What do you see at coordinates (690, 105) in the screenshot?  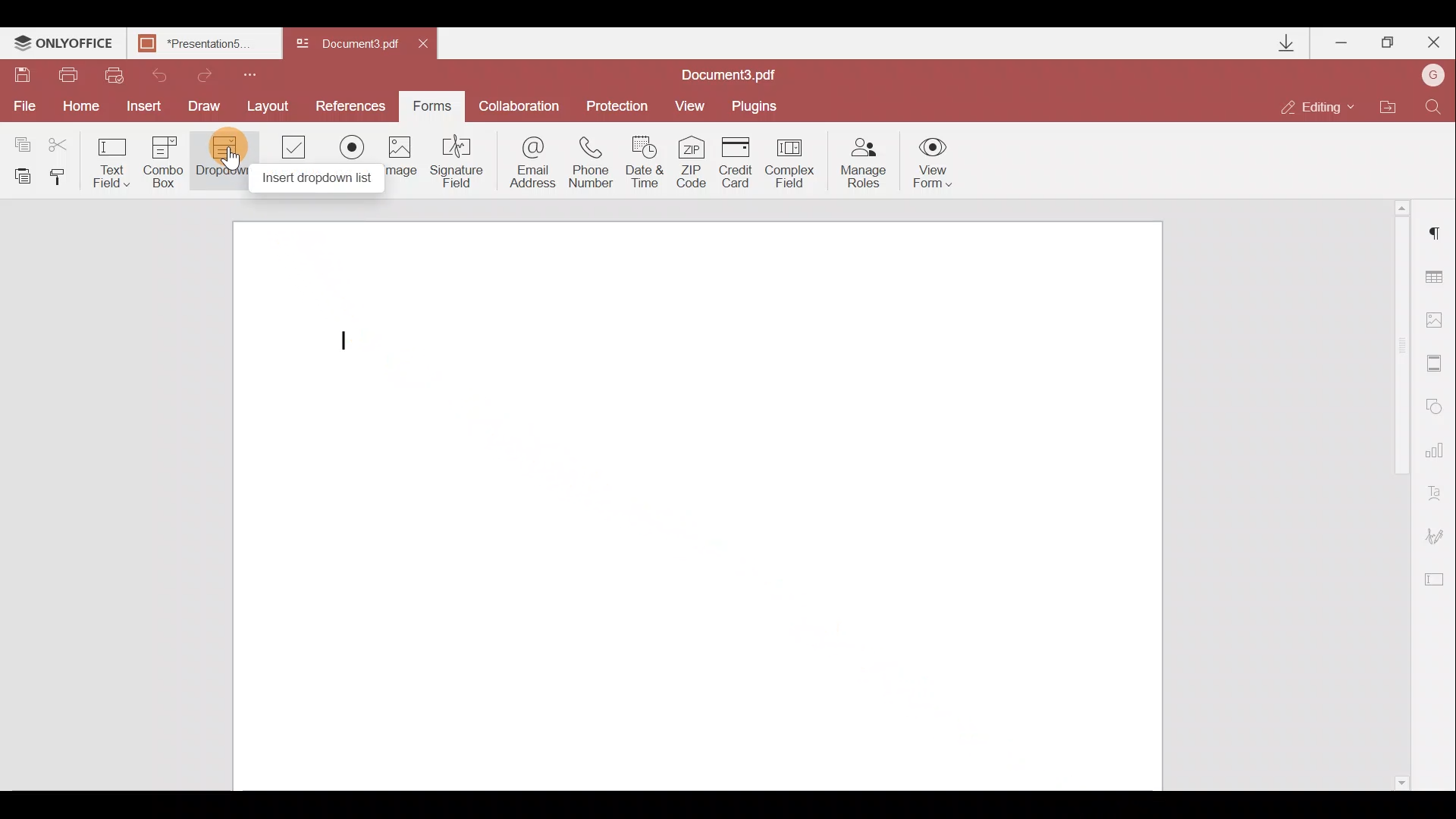 I see `View` at bounding box center [690, 105].